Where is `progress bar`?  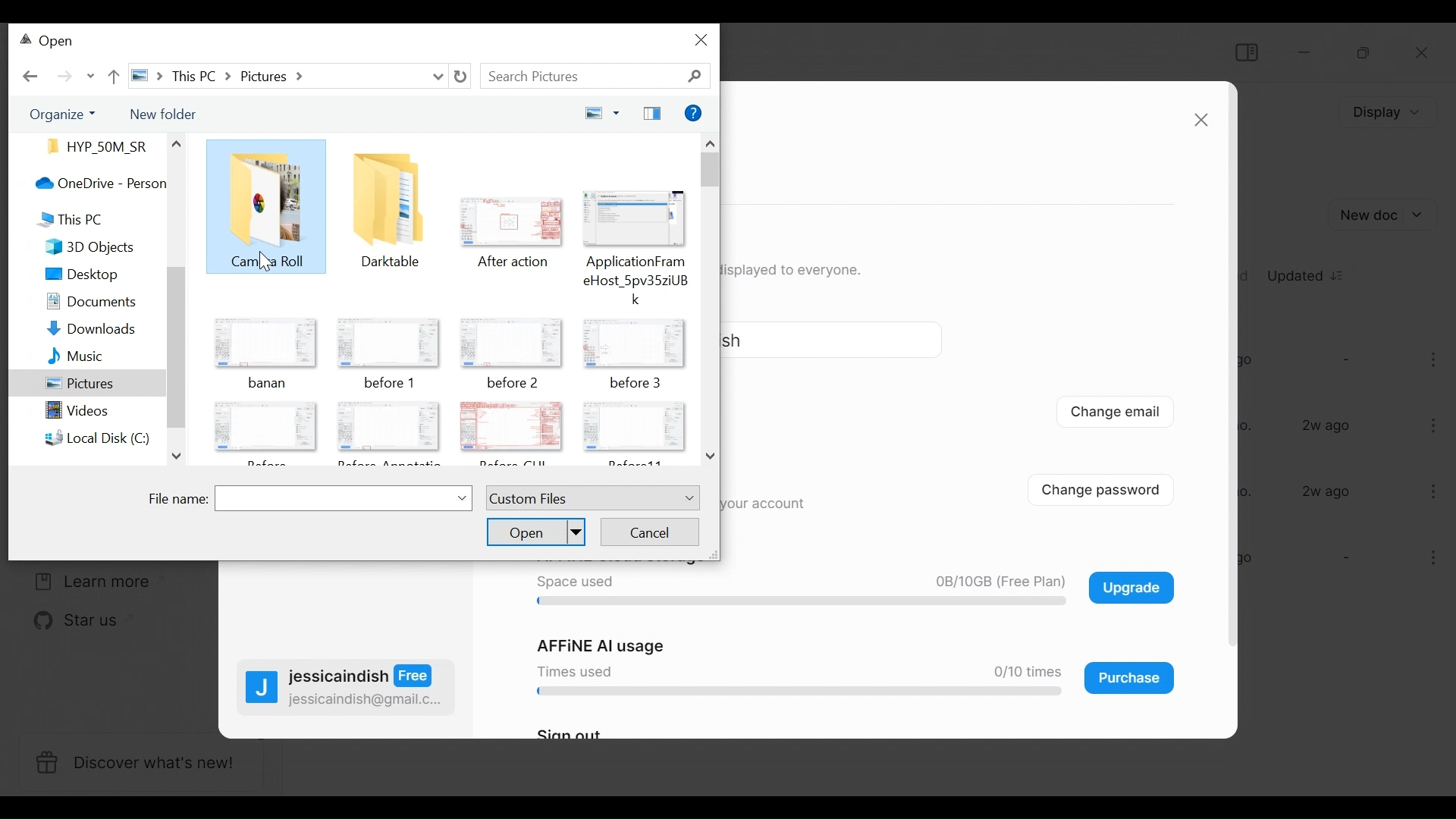
progress bar is located at coordinates (795, 602).